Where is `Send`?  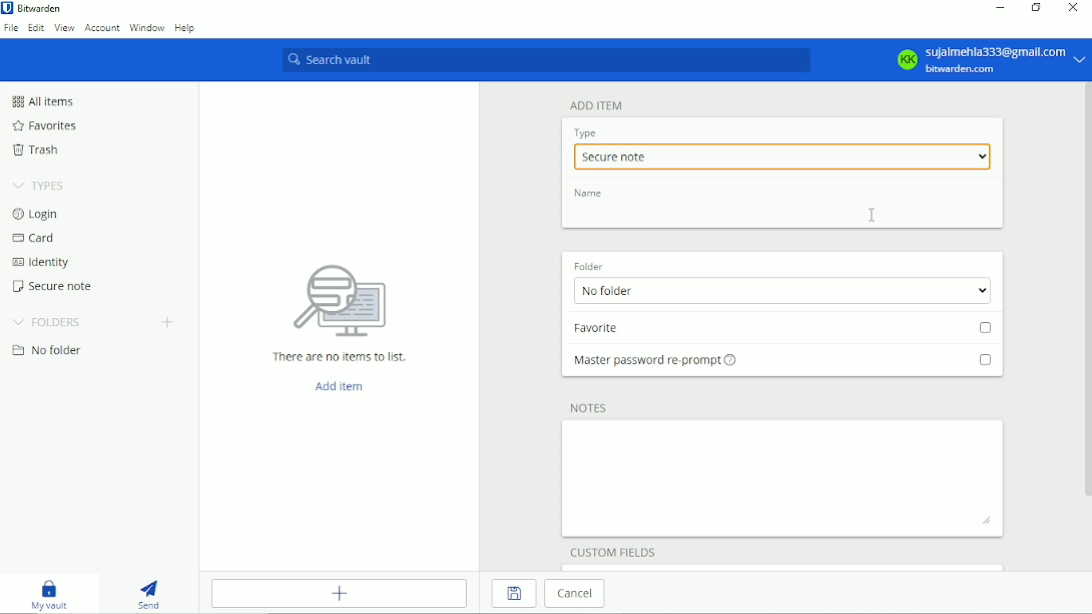 Send is located at coordinates (150, 593).